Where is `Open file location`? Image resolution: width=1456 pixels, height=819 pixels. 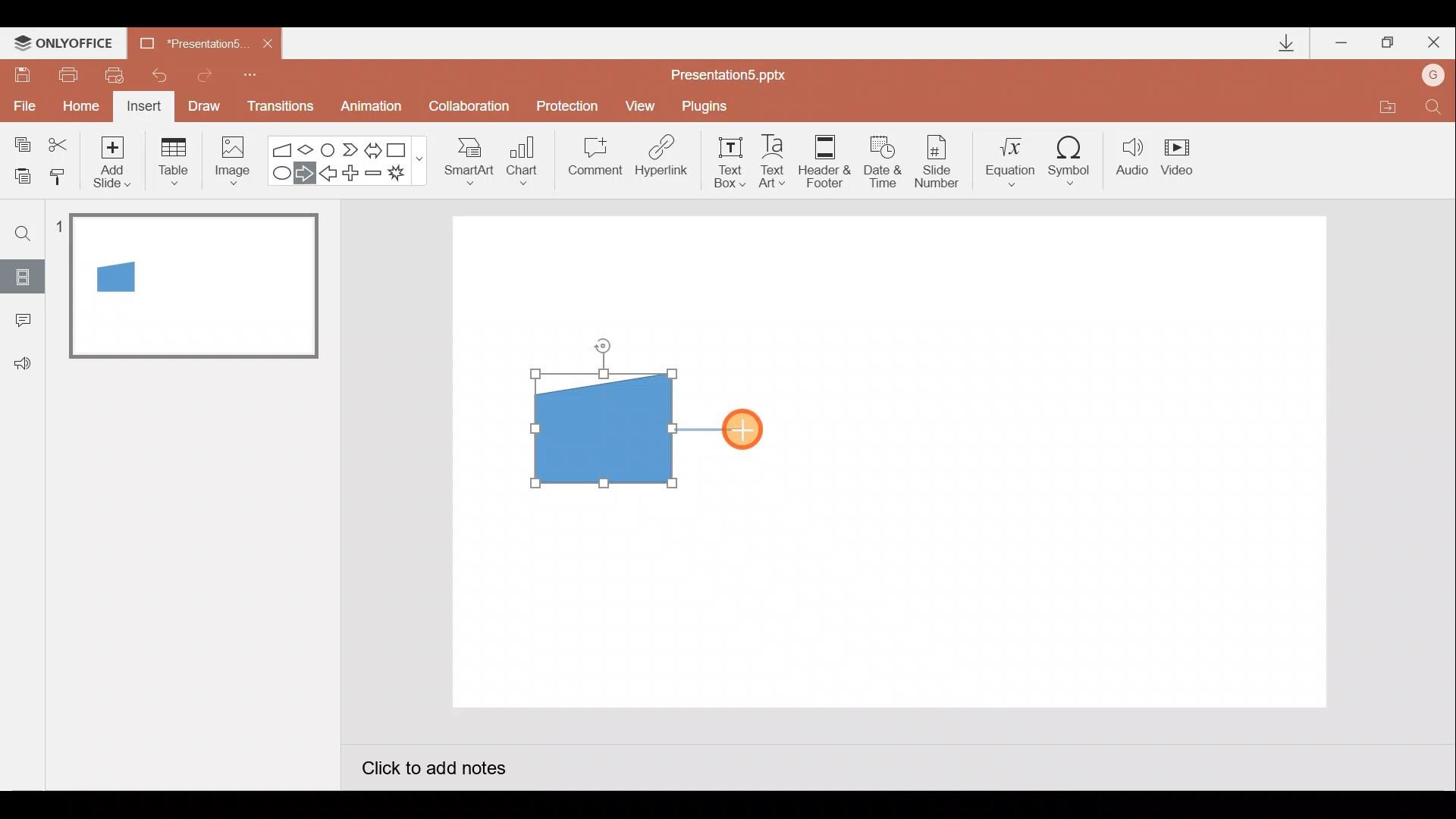
Open file location is located at coordinates (1387, 109).